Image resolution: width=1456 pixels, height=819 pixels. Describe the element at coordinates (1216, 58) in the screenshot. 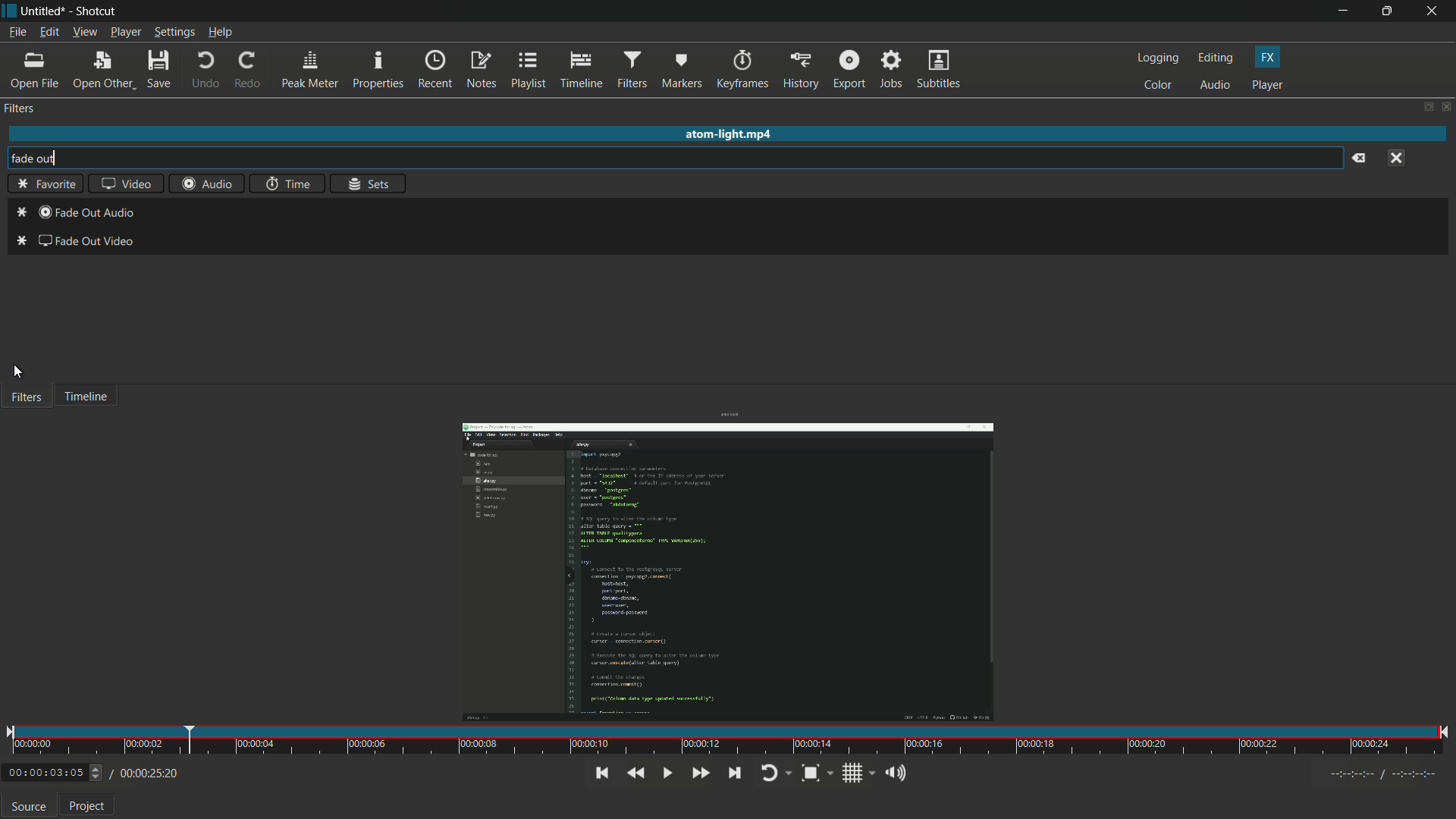

I see `editing` at that location.